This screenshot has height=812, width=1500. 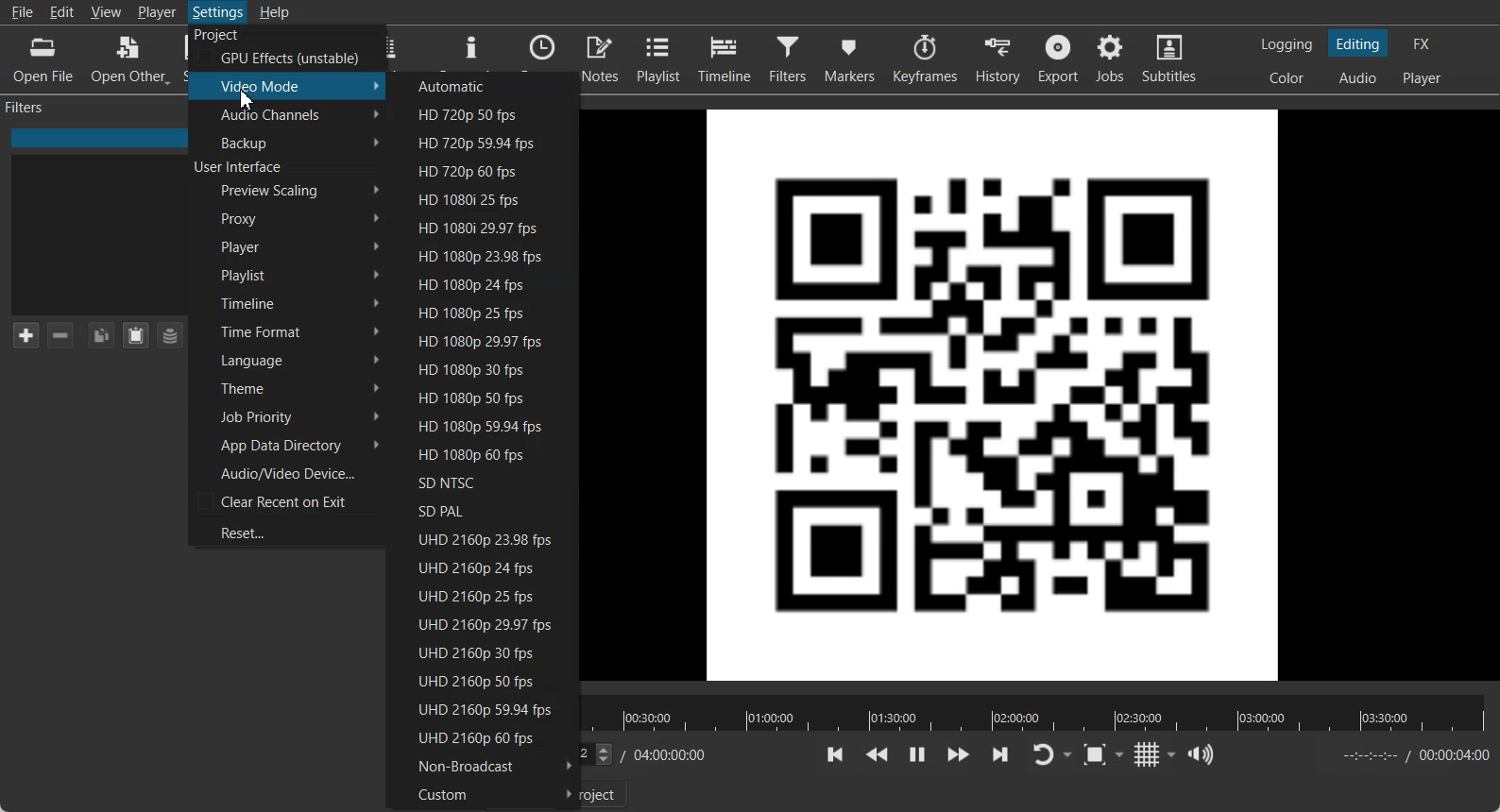 What do you see at coordinates (480, 228) in the screenshot?
I see `HD 1080i 29.98 fps` at bounding box center [480, 228].